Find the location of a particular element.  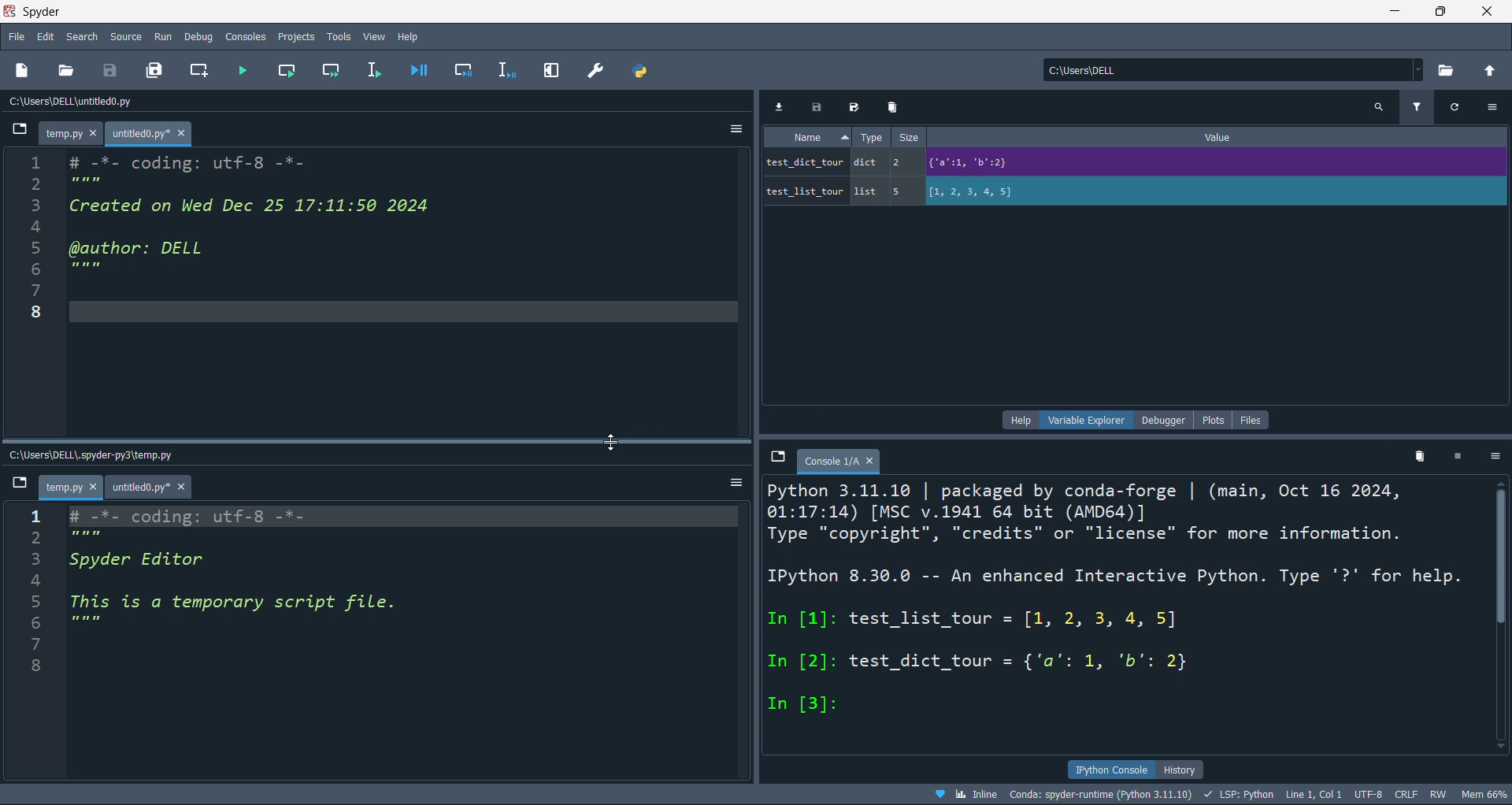

browse tabs is located at coordinates (17, 484).